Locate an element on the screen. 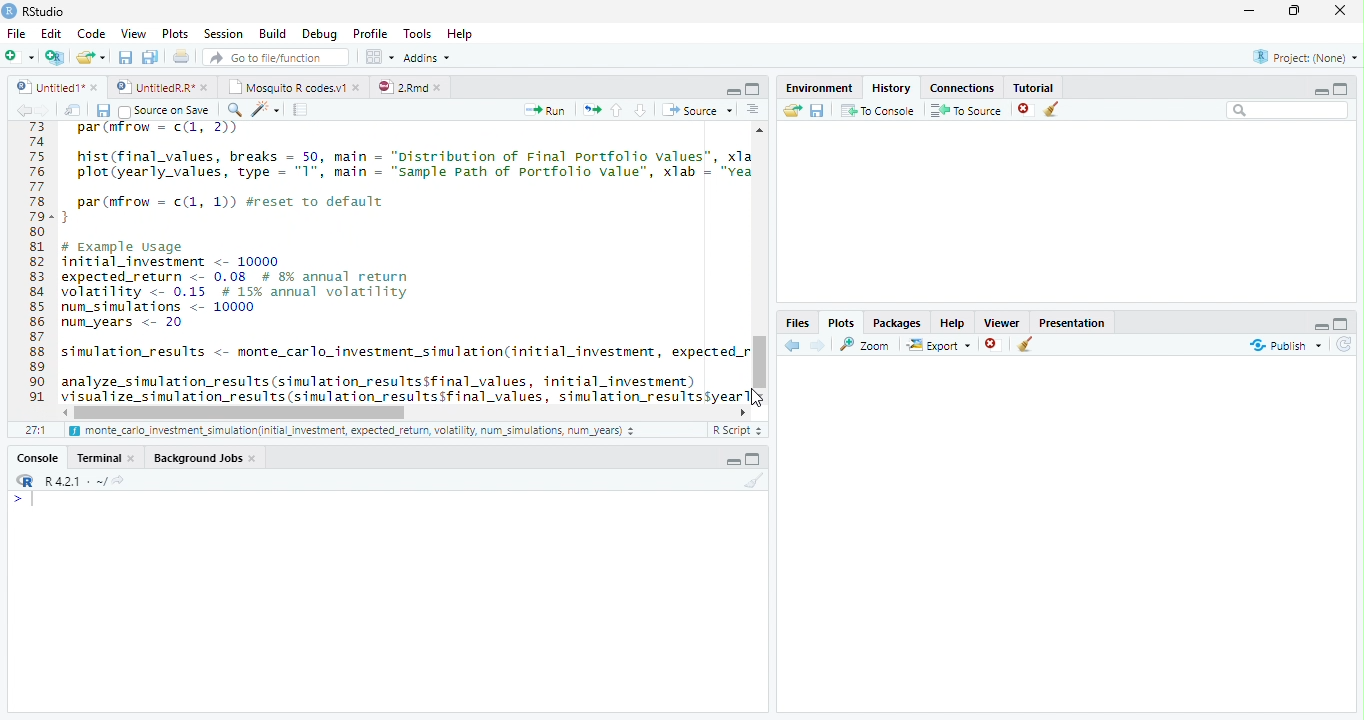 This screenshot has width=1364, height=720. Background Jobs. is located at coordinates (206, 457).